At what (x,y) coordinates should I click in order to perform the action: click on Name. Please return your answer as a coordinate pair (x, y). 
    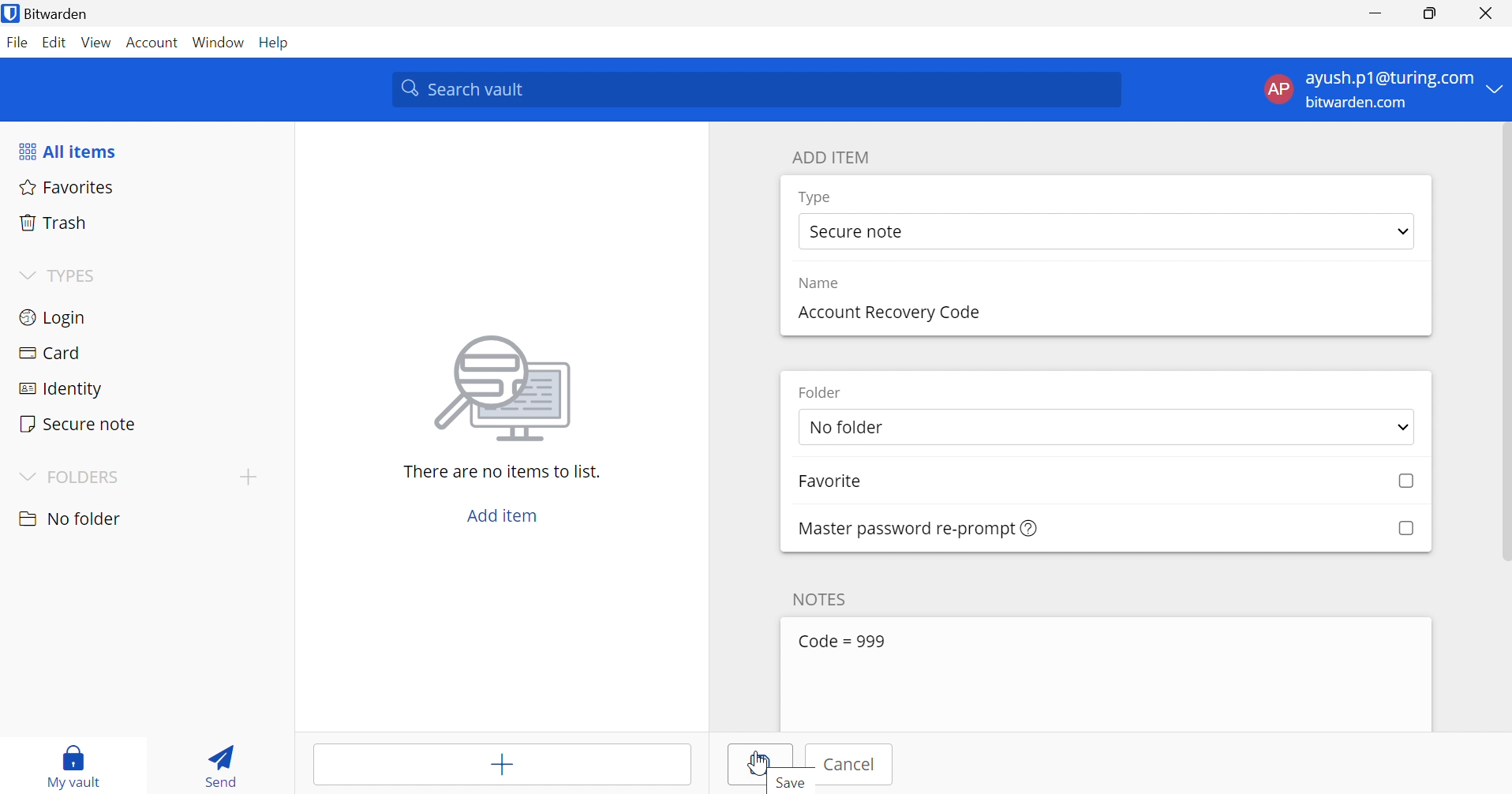
    Looking at the image, I should click on (824, 283).